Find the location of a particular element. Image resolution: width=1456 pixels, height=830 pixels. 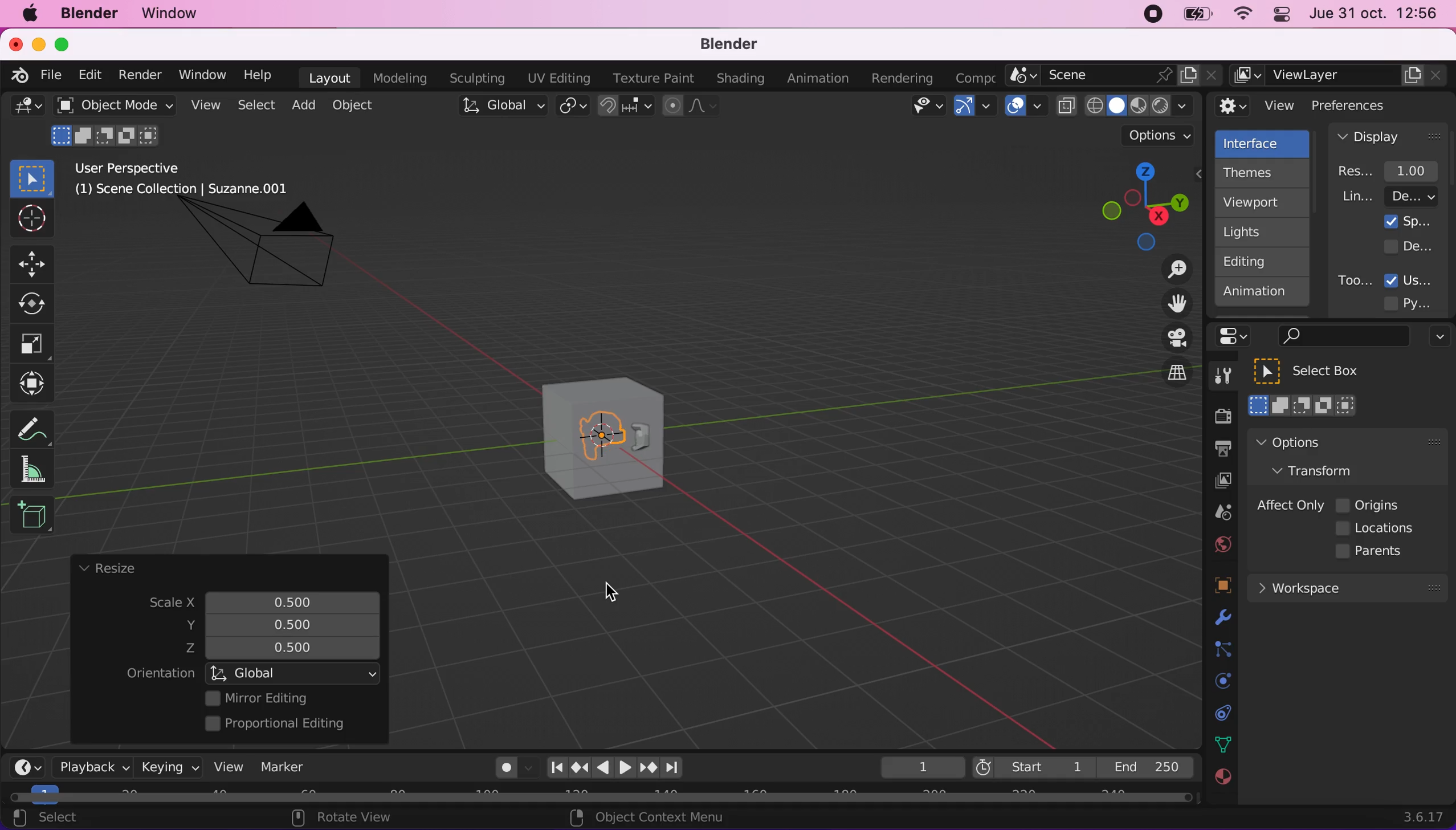

select is located at coordinates (58, 819).